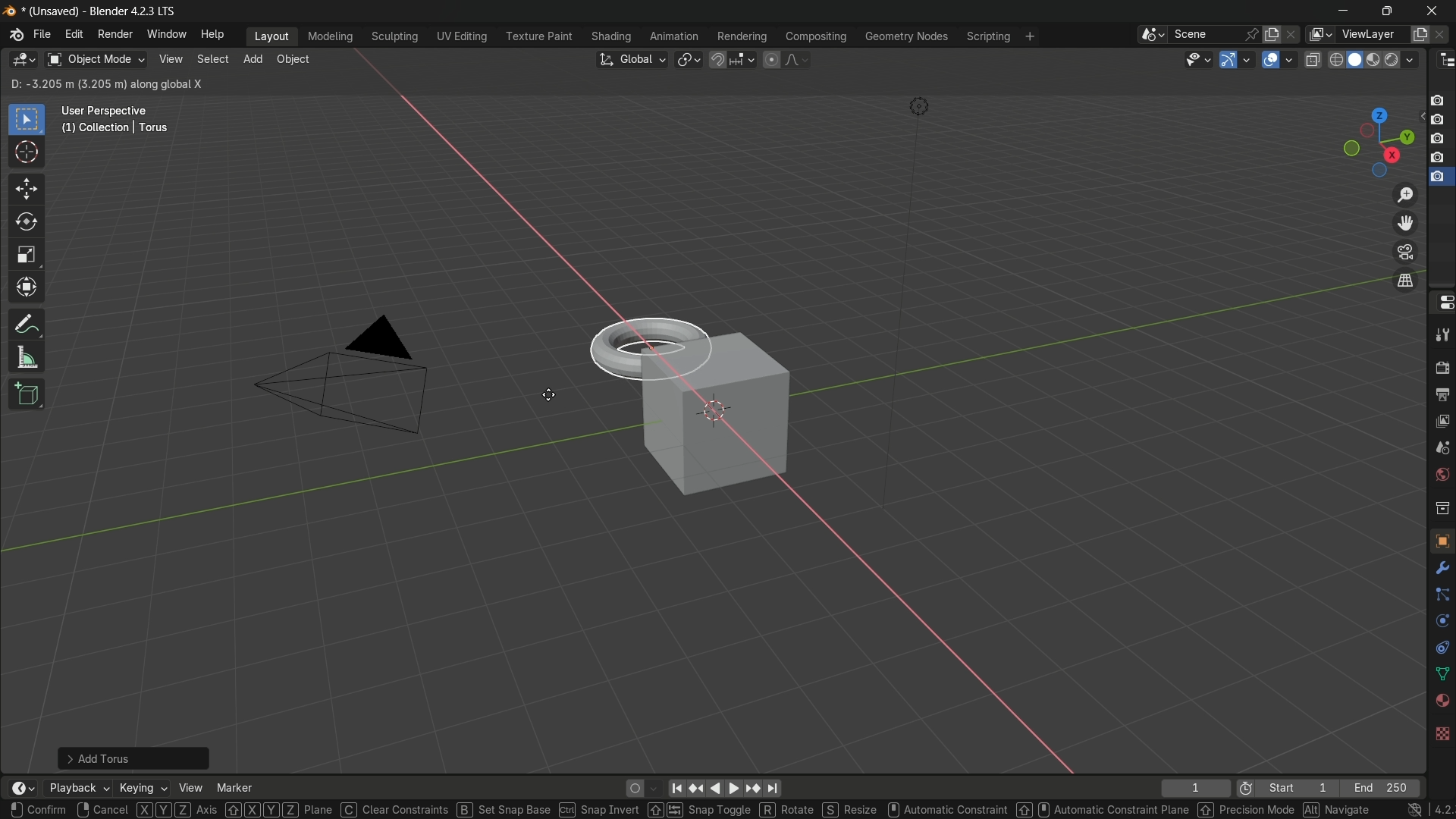  Describe the element at coordinates (1403, 60) in the screenshot. I see `material preview` at that location.